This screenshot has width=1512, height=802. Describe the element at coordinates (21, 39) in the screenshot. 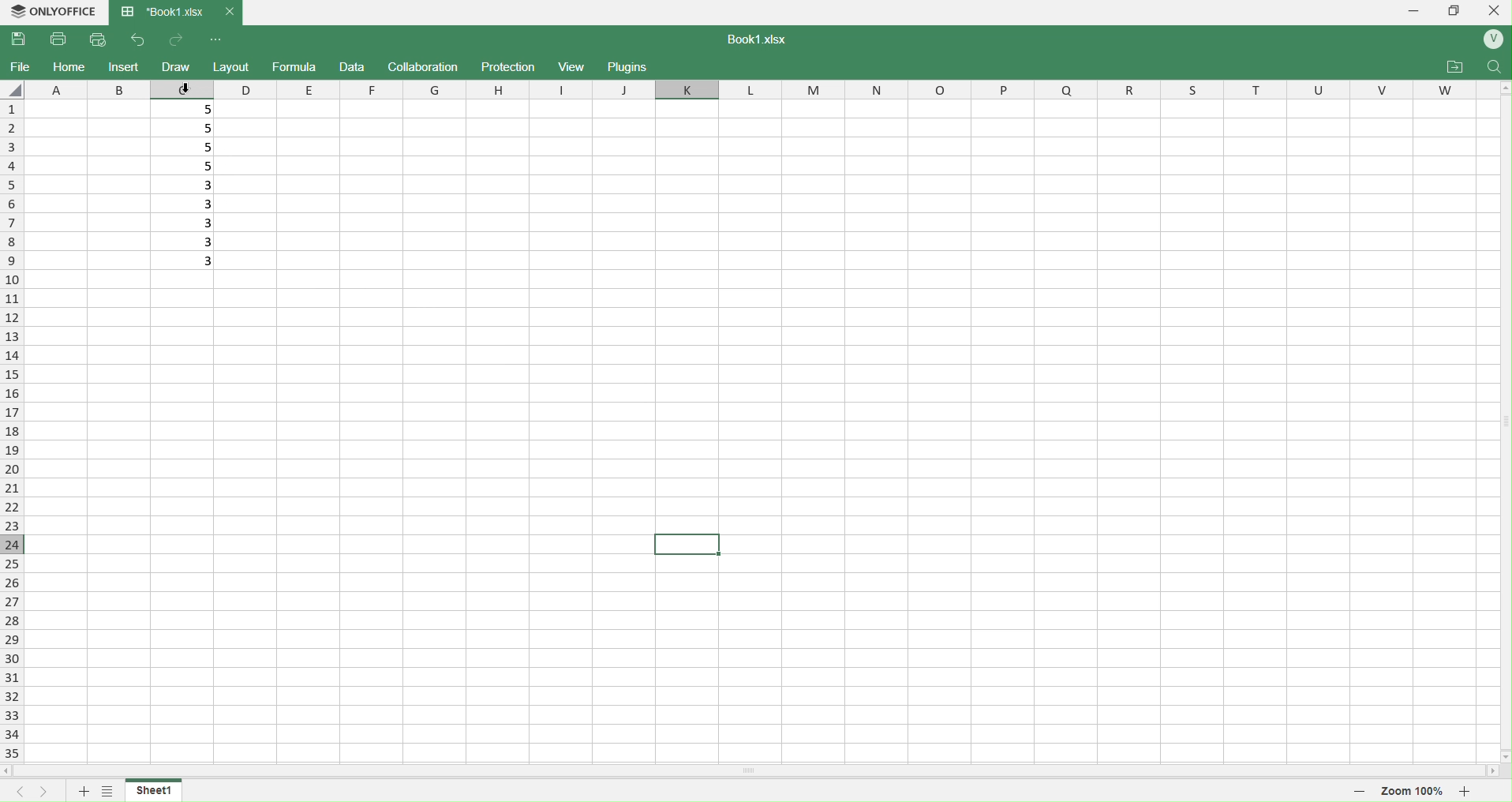

I see `Save` at that location.